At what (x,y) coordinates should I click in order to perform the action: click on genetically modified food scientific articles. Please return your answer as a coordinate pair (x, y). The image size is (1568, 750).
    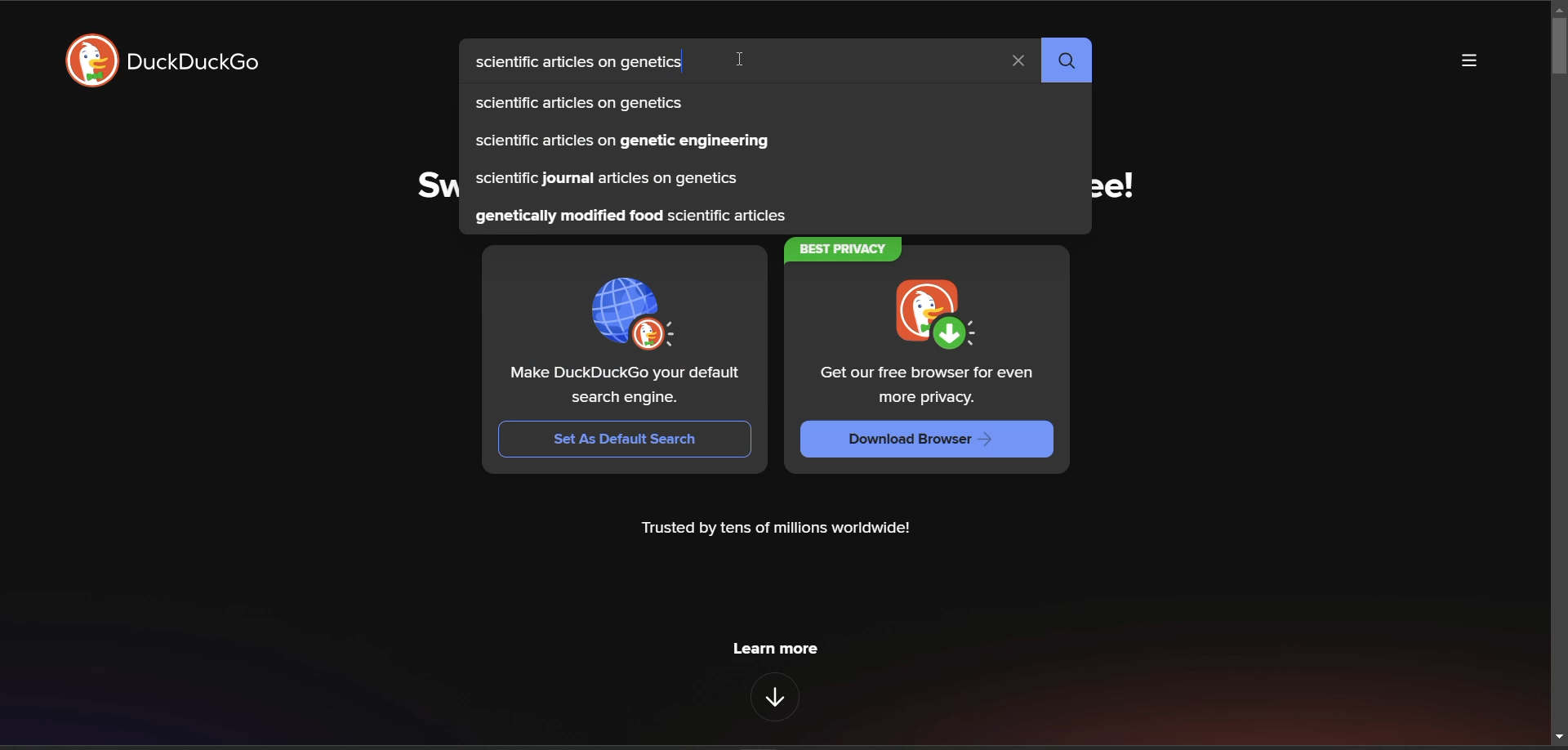
    Looking at the image, I should click on (635, 217).